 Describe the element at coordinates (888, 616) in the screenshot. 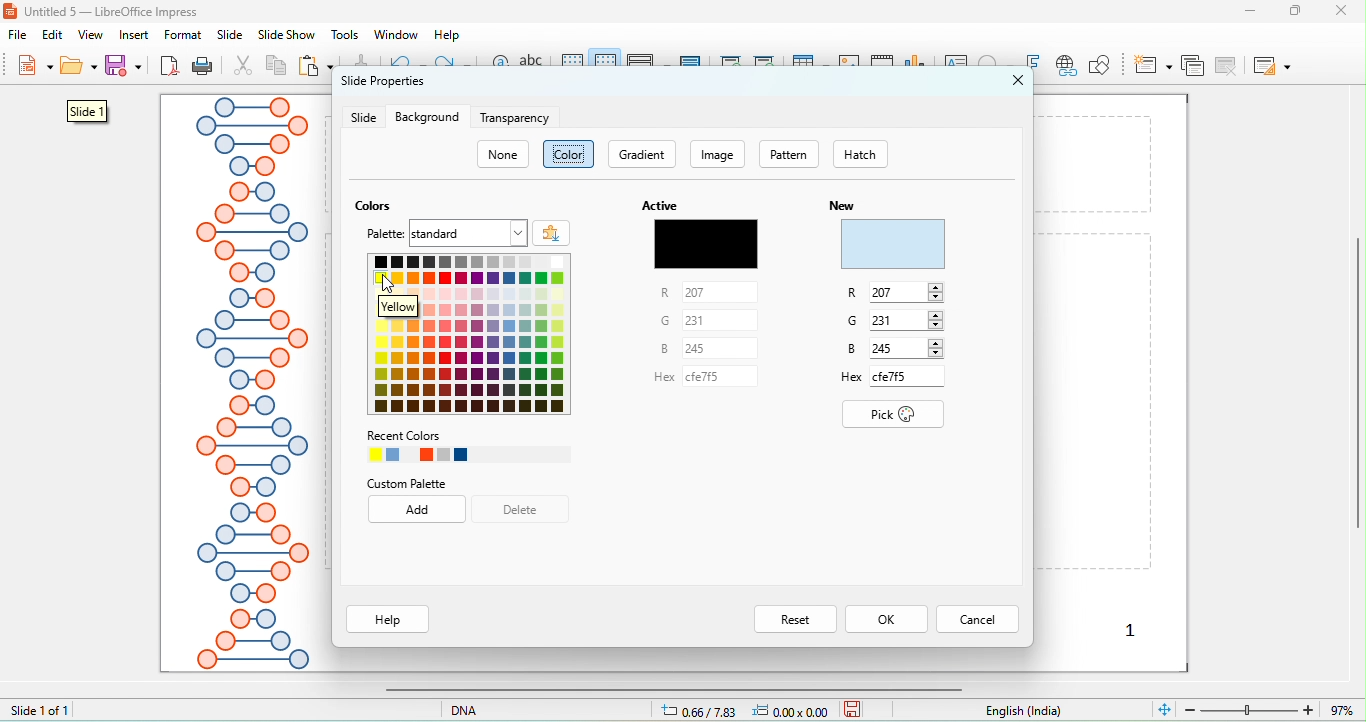

I see `ok` at that location.